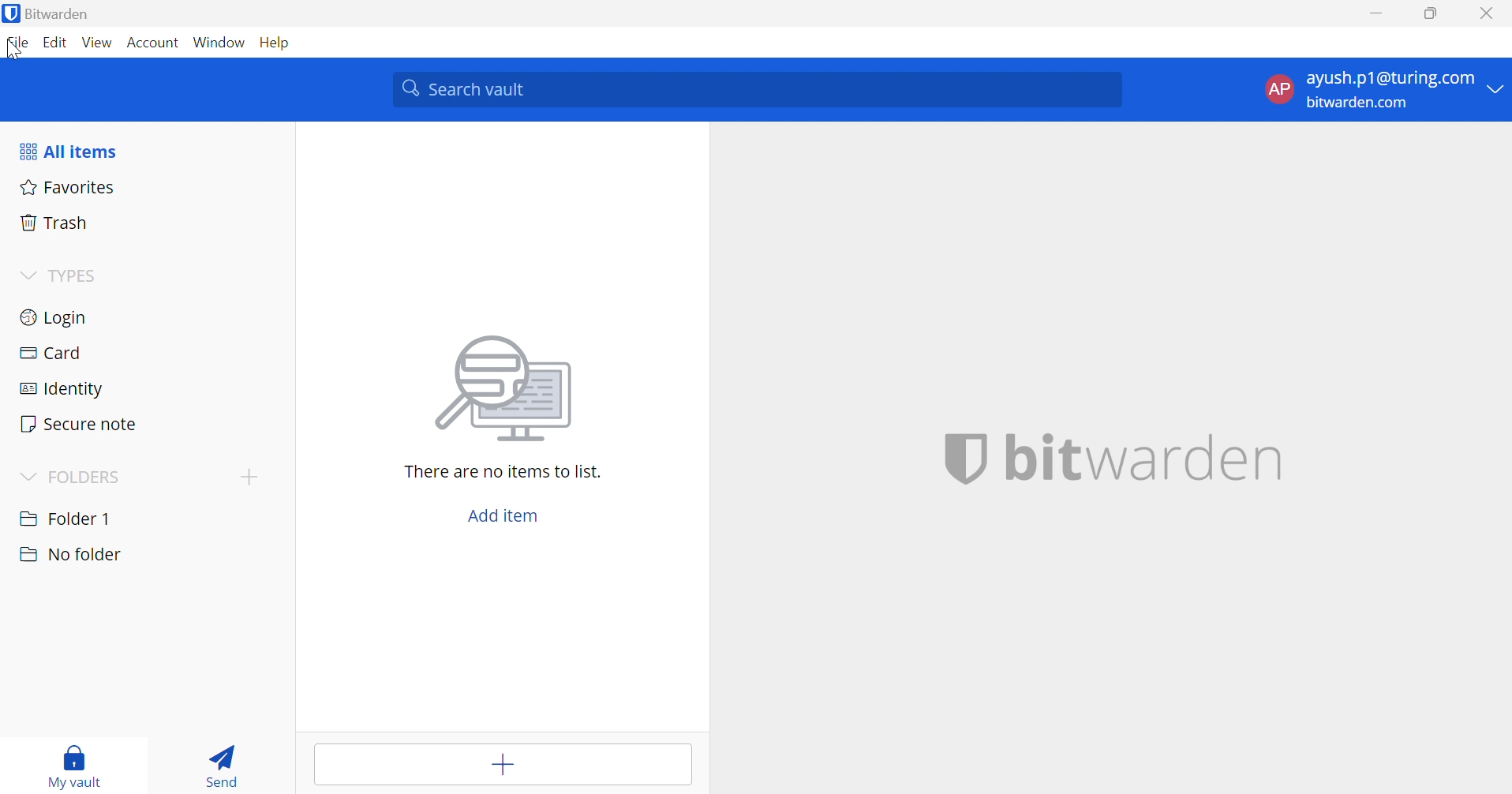 This screenshot has width=1512, height=794. Describe the element at coordinates (227, 764) in the screenshot. I see `Send` at that location.